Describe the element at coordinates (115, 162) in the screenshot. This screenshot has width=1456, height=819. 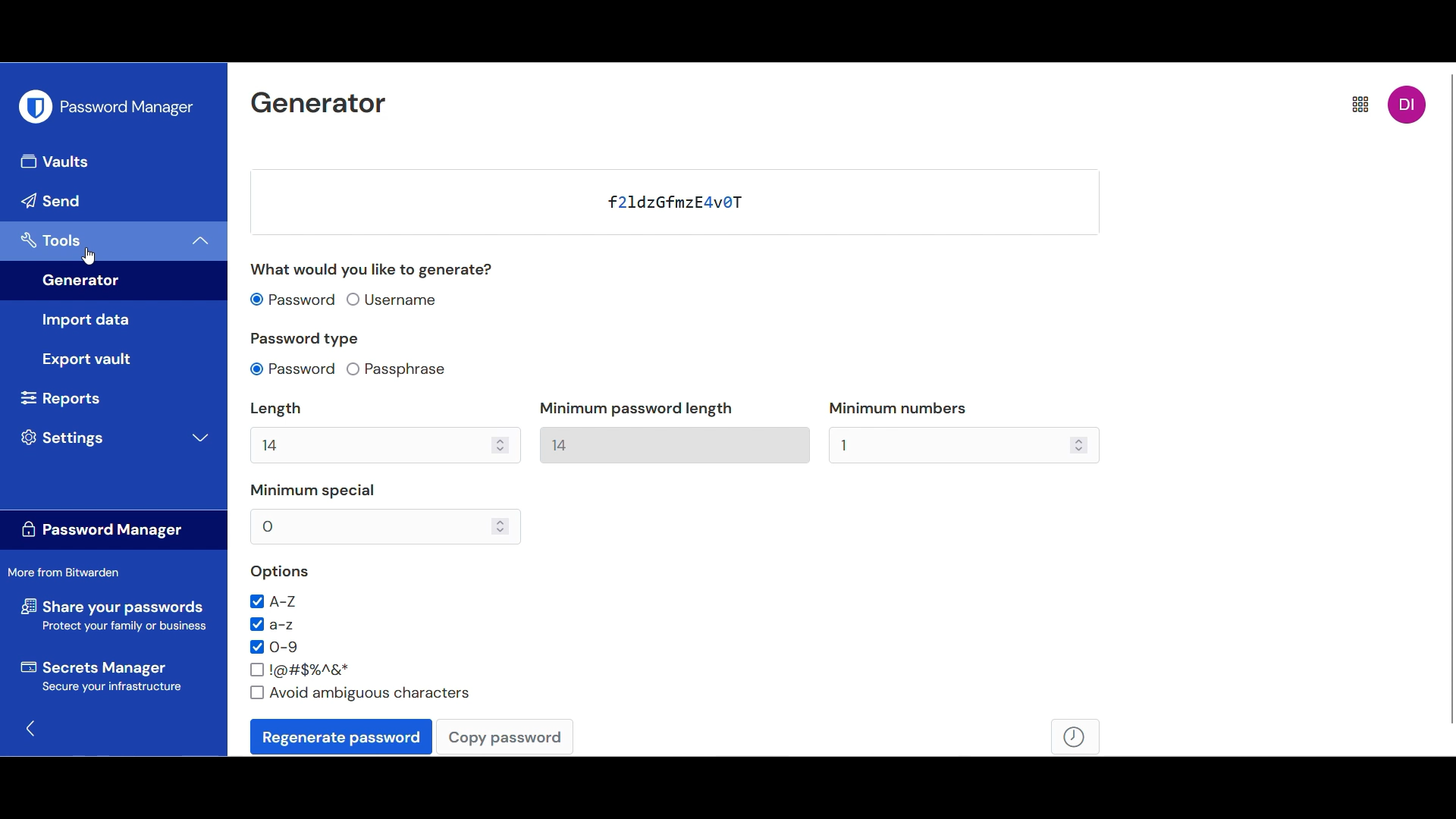
I see `Vaults, current section highlighted` at that location.